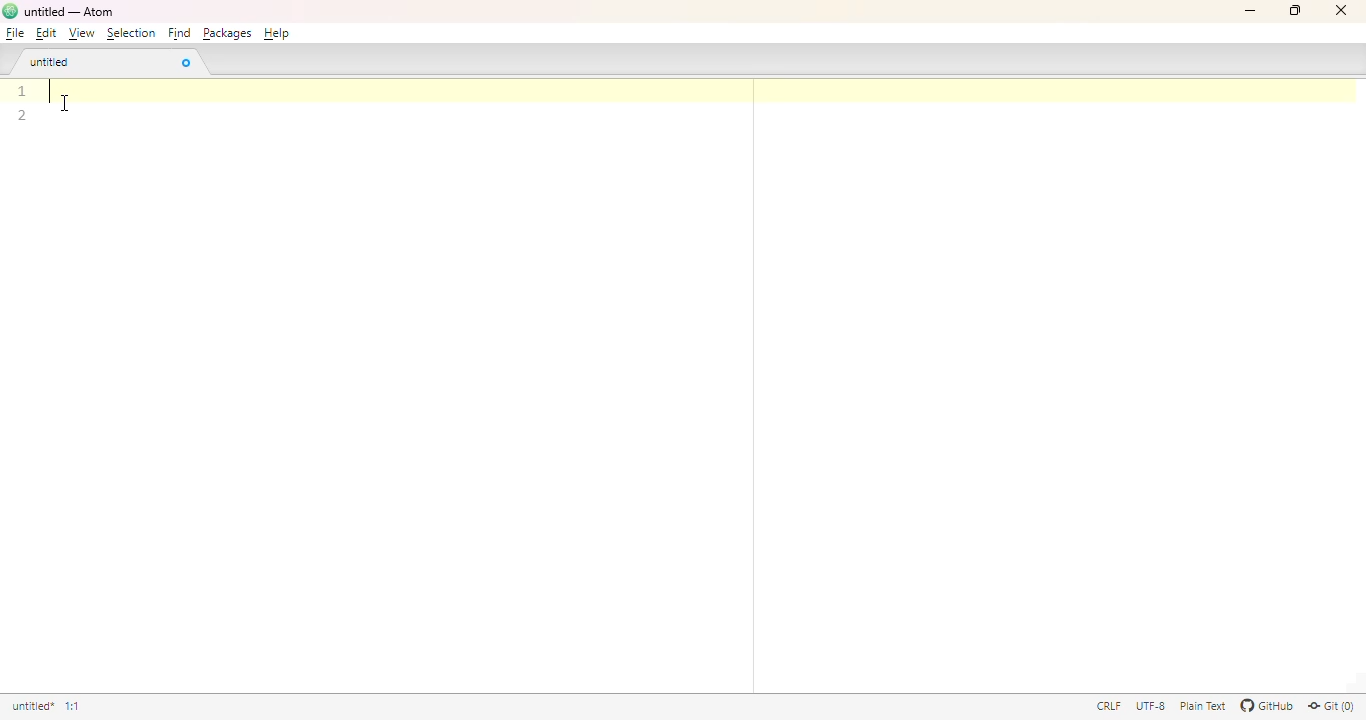 Image resolution: width=1366 pixels, height=720 pixels. I want to click on logo, so click(9, 10).